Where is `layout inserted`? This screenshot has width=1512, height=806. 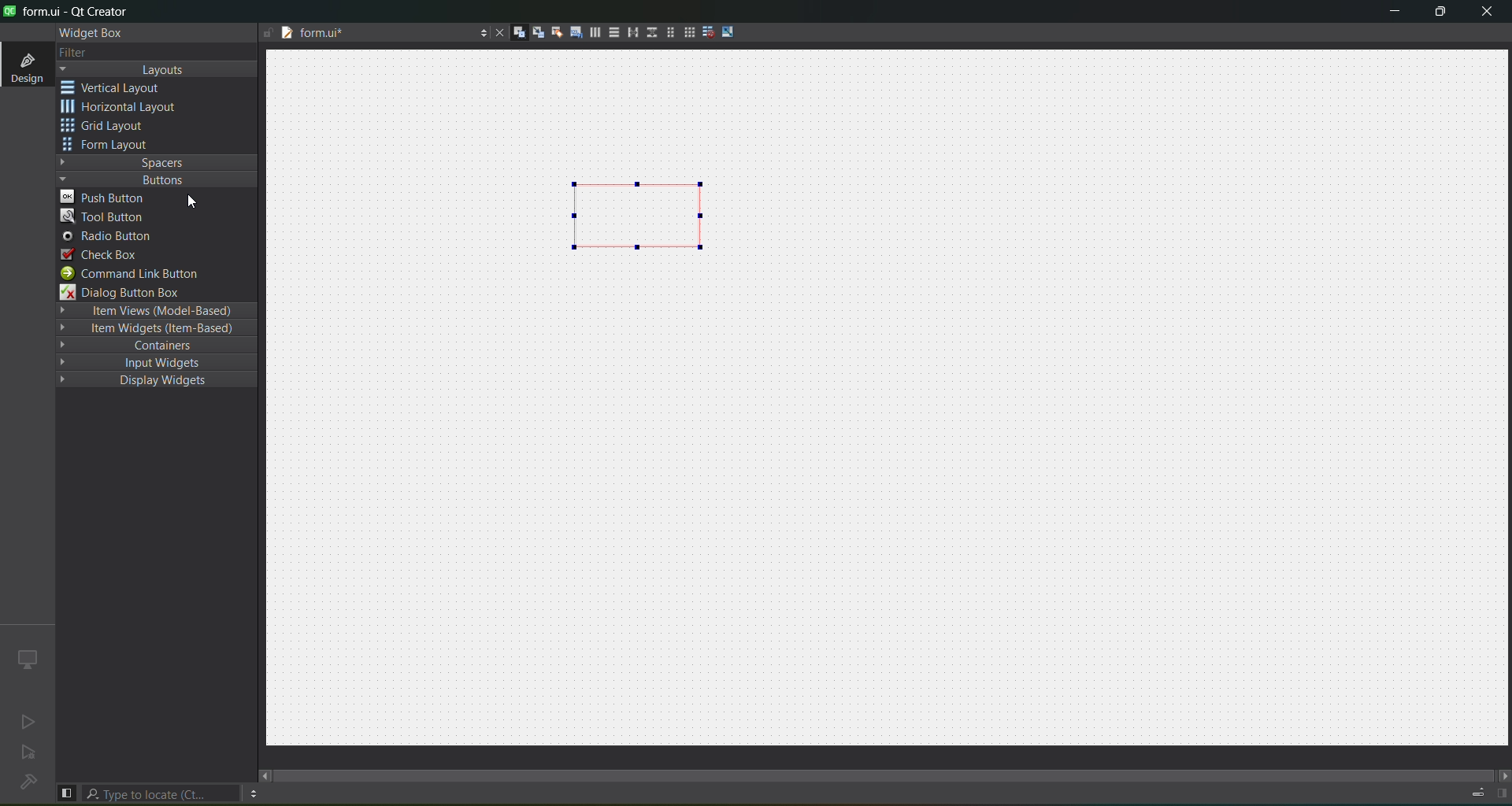
layout inserted is located at coordinates (636, 210).